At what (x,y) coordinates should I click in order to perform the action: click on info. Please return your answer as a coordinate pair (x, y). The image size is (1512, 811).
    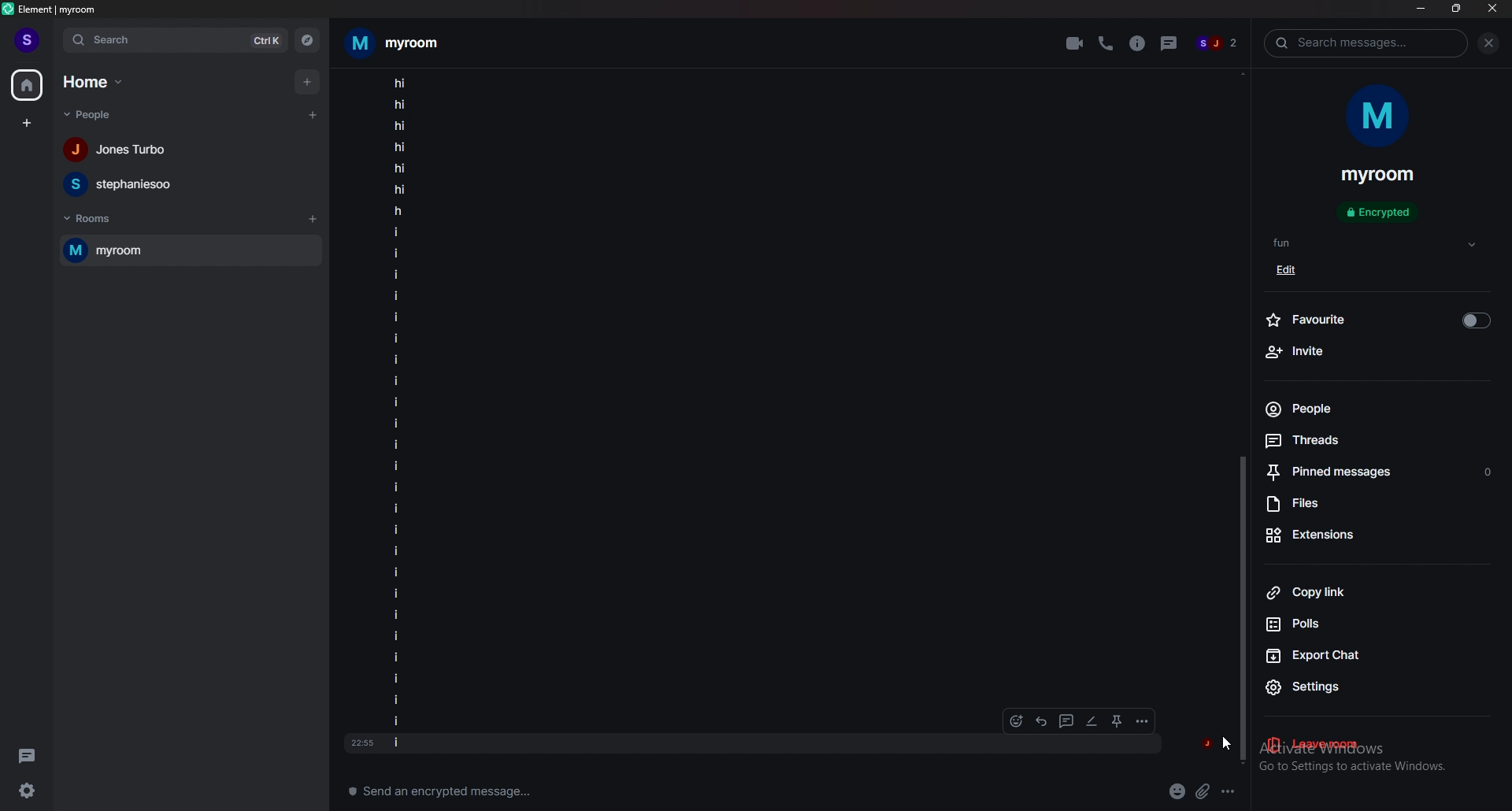
    Looking at the image, I should click on (1136, 43).